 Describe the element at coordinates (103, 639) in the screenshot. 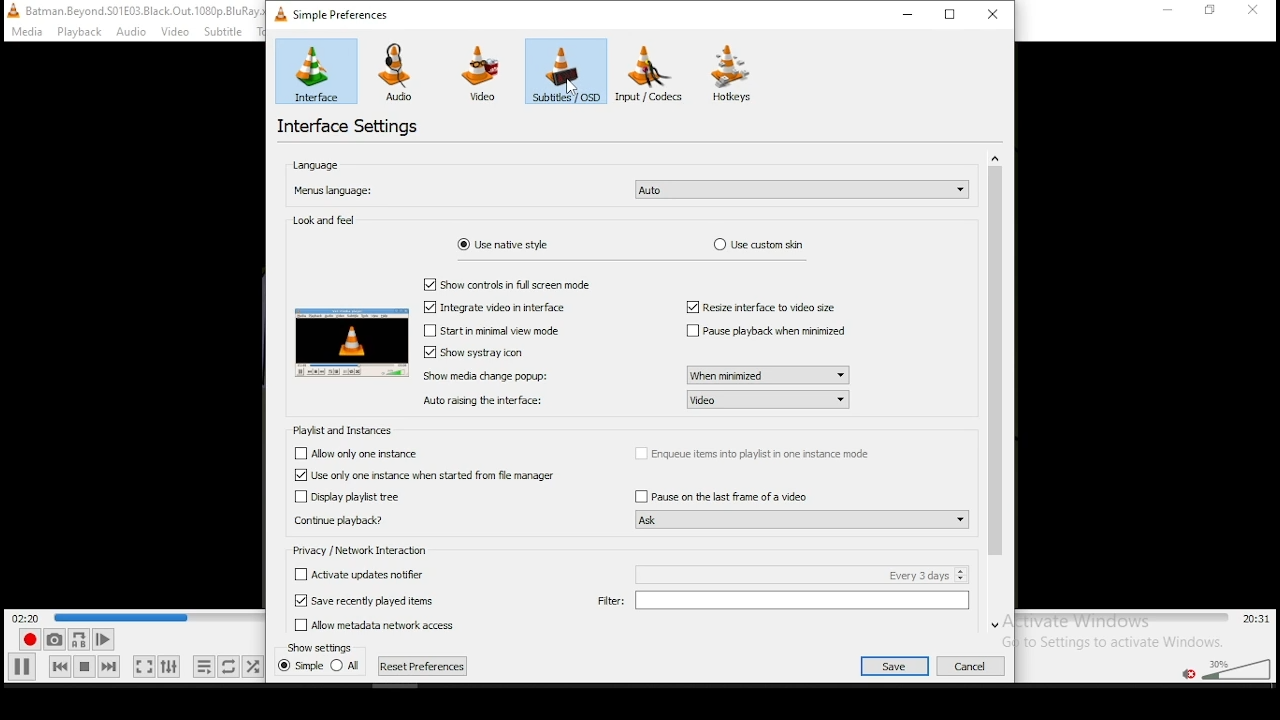

I see `frame by frame` at that location.